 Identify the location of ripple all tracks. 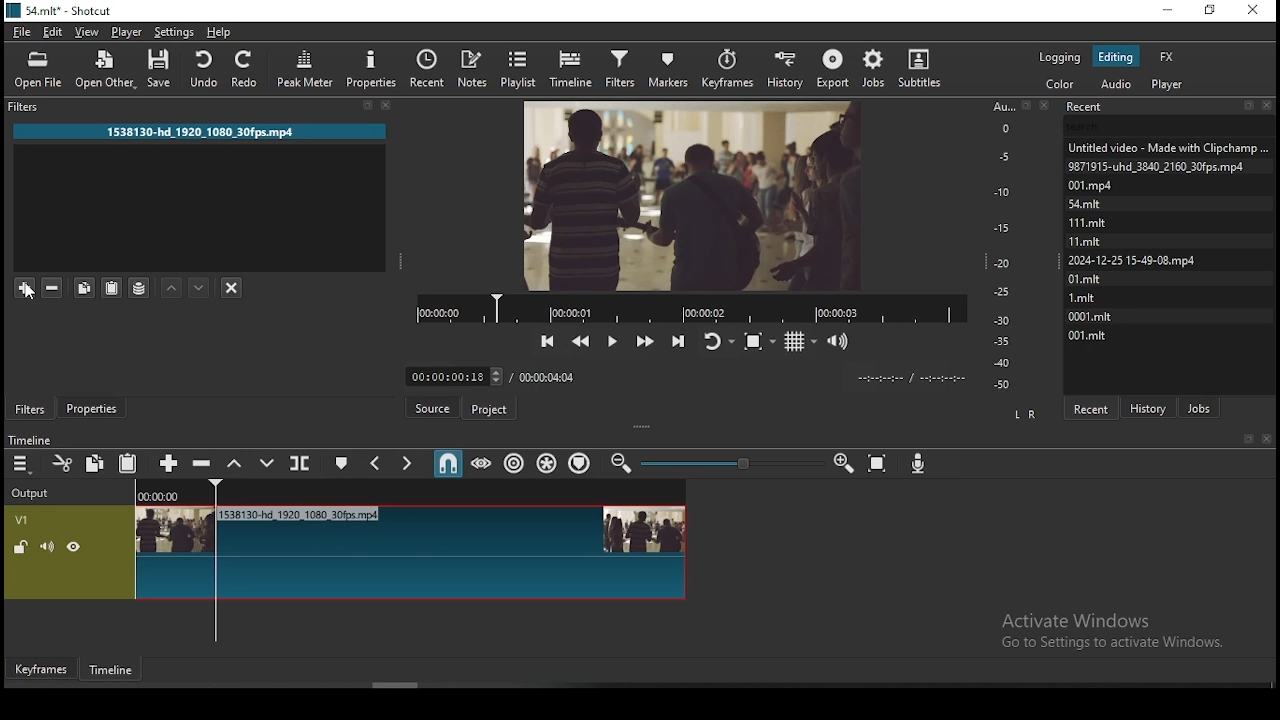
(543, 463).